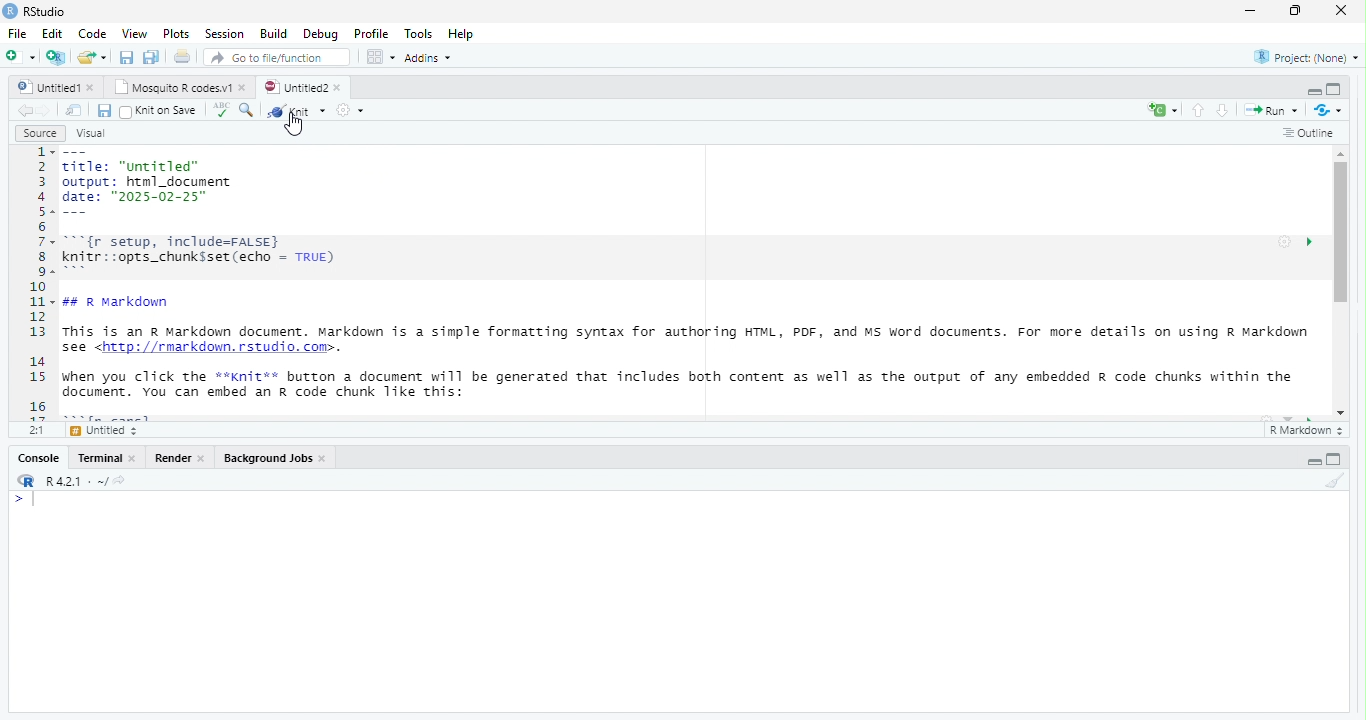 The image size is (1366, 720). I want to click on close, so click(93, 88).